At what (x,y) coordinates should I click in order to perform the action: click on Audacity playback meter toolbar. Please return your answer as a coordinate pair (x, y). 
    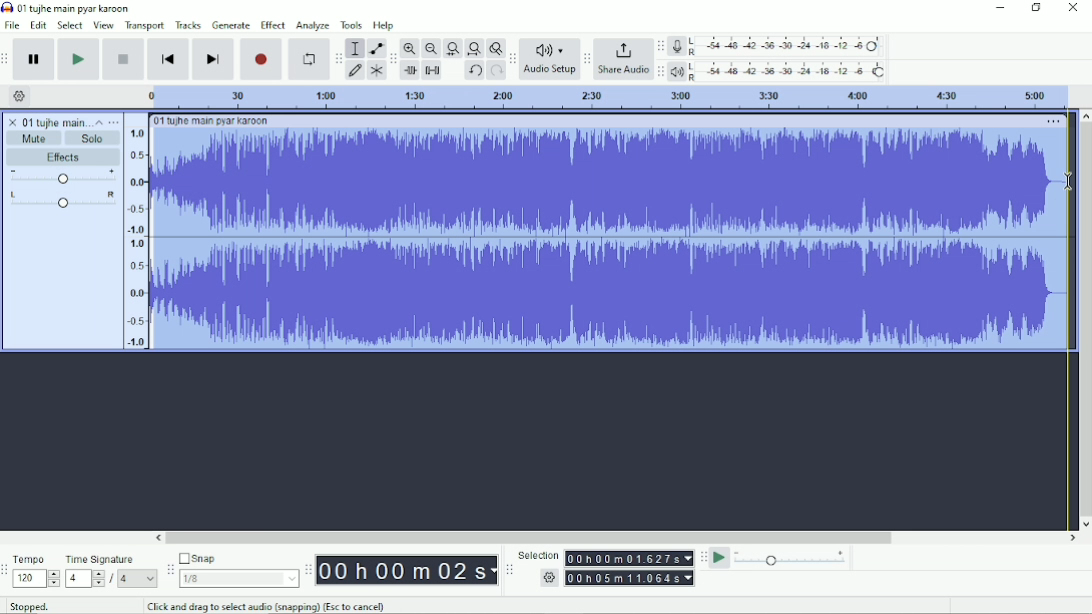
    Looking at the image, I should click on (660, 73).